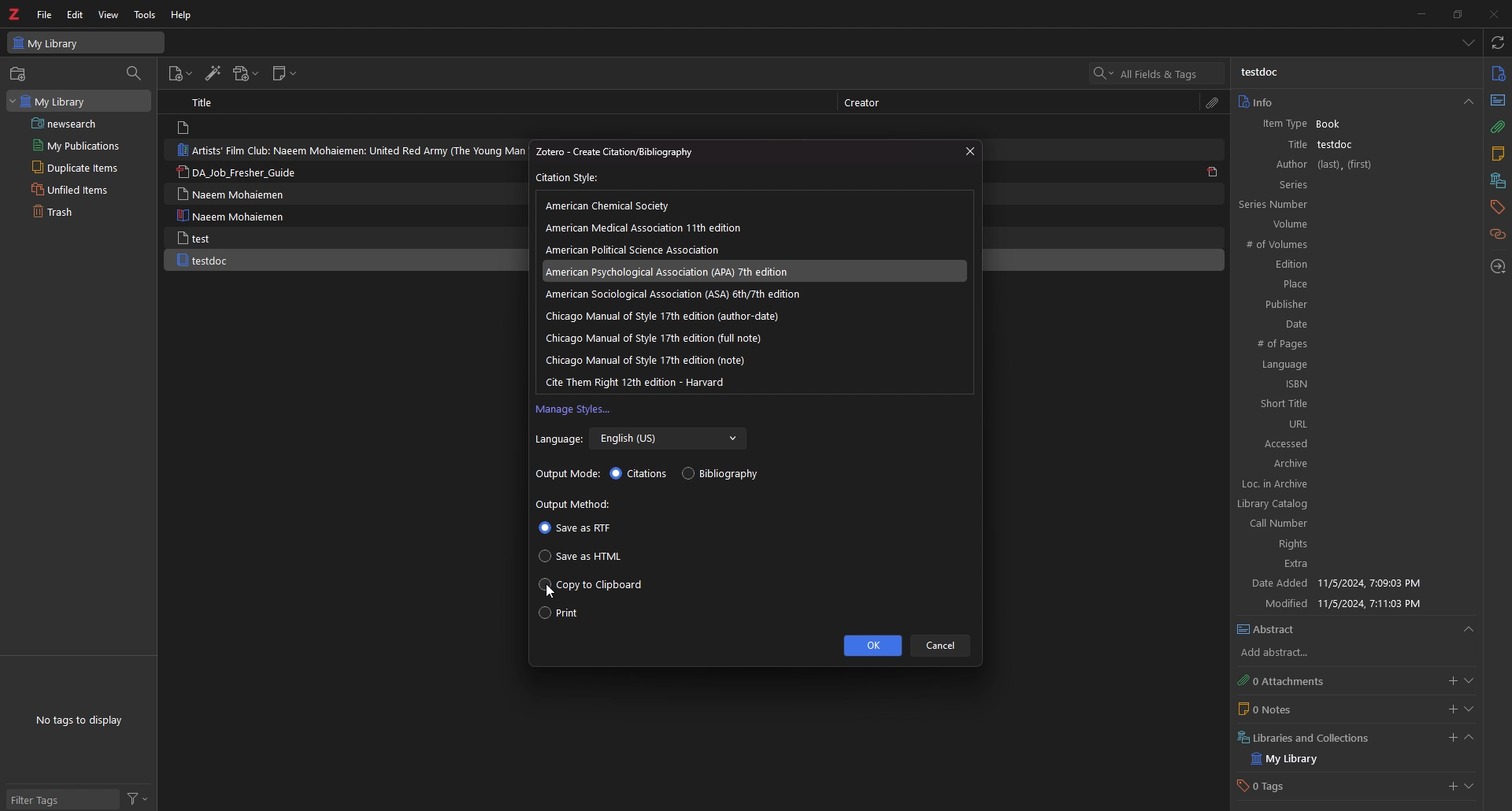 The width and height of the screenshot is (1512, 811). What do you see at coordinates (1498, 74) in the screenshot?
I see `info` at bounding box center [1498, 74].